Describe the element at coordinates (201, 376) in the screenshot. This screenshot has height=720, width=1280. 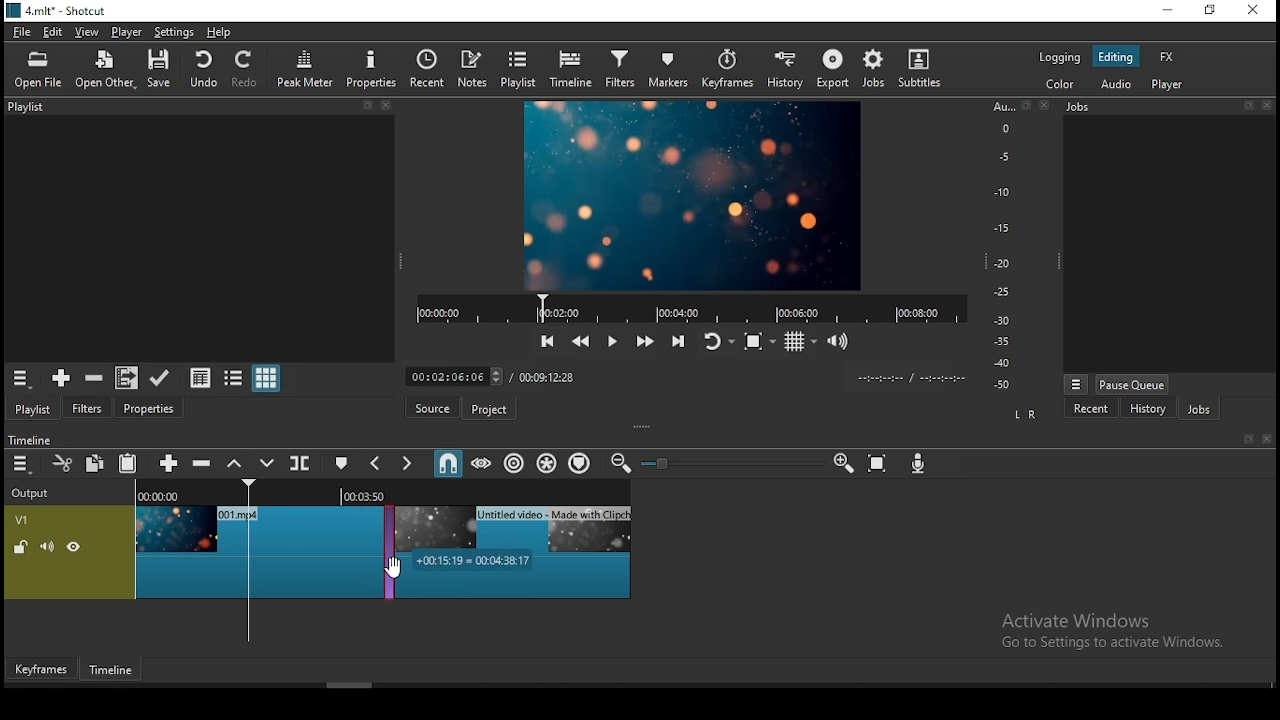
I see `view as details` at that location.